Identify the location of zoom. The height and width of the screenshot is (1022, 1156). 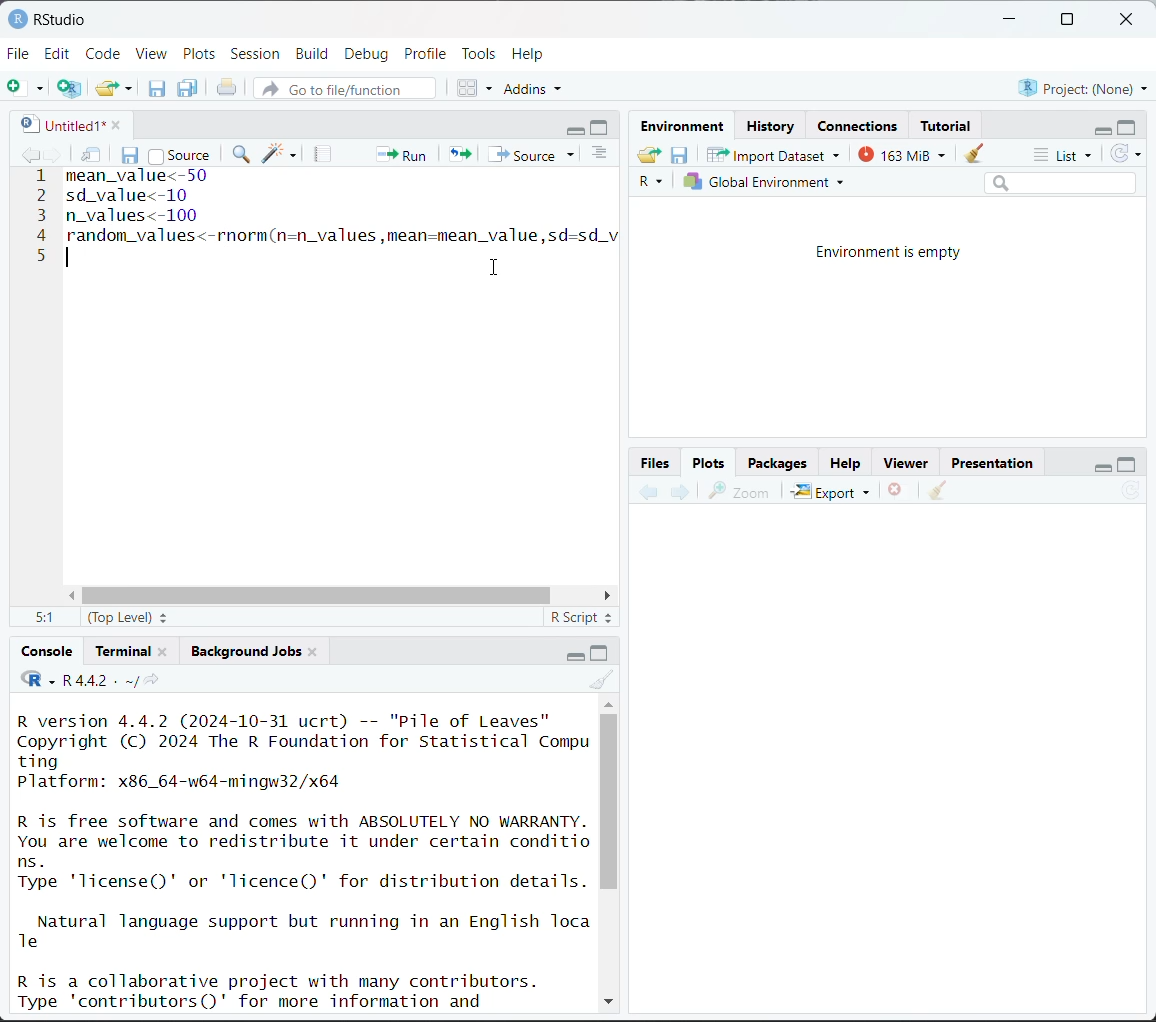
(739, 491).